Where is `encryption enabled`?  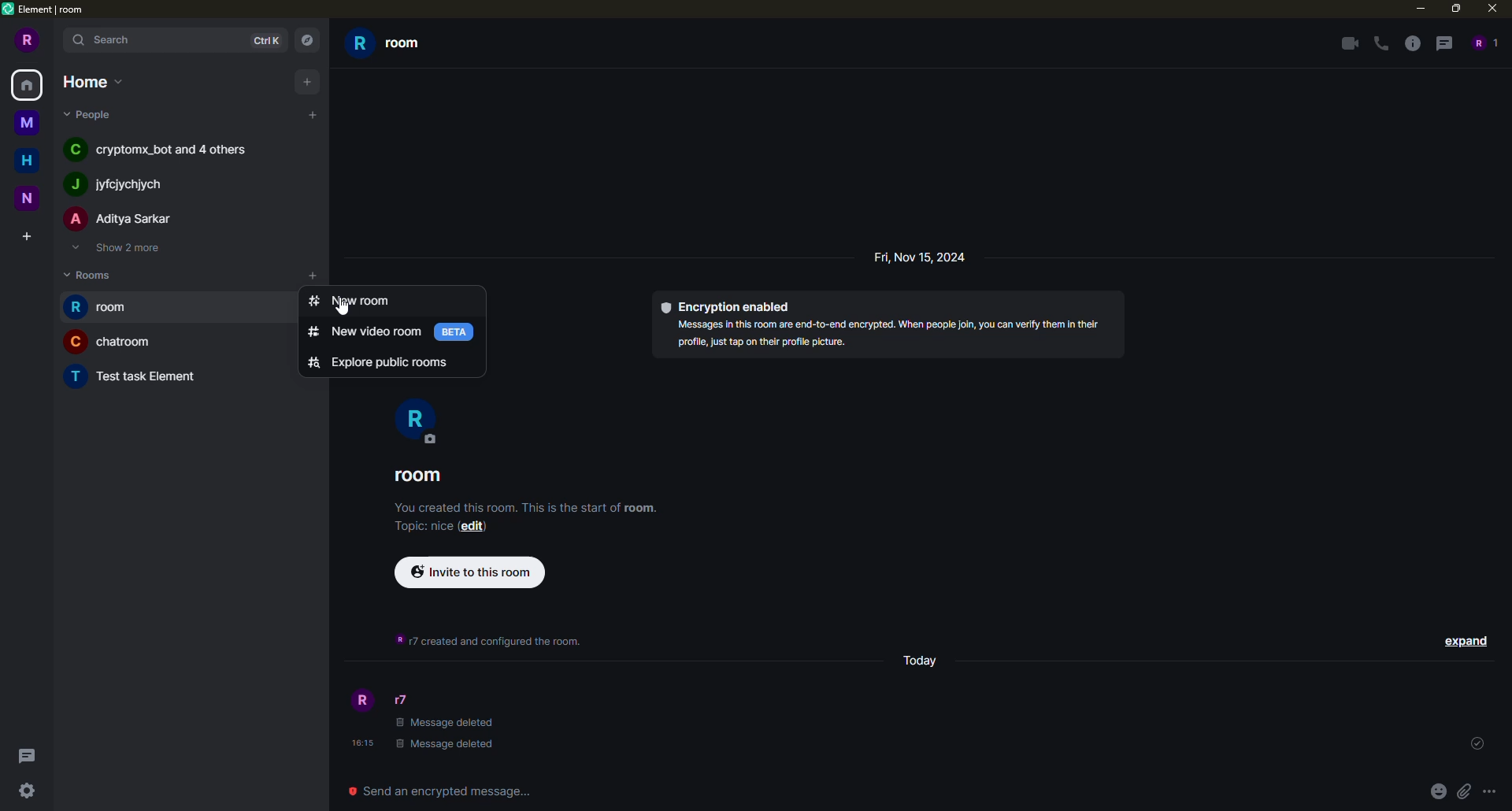
encryption enabled is located at coordinates (728, 305).